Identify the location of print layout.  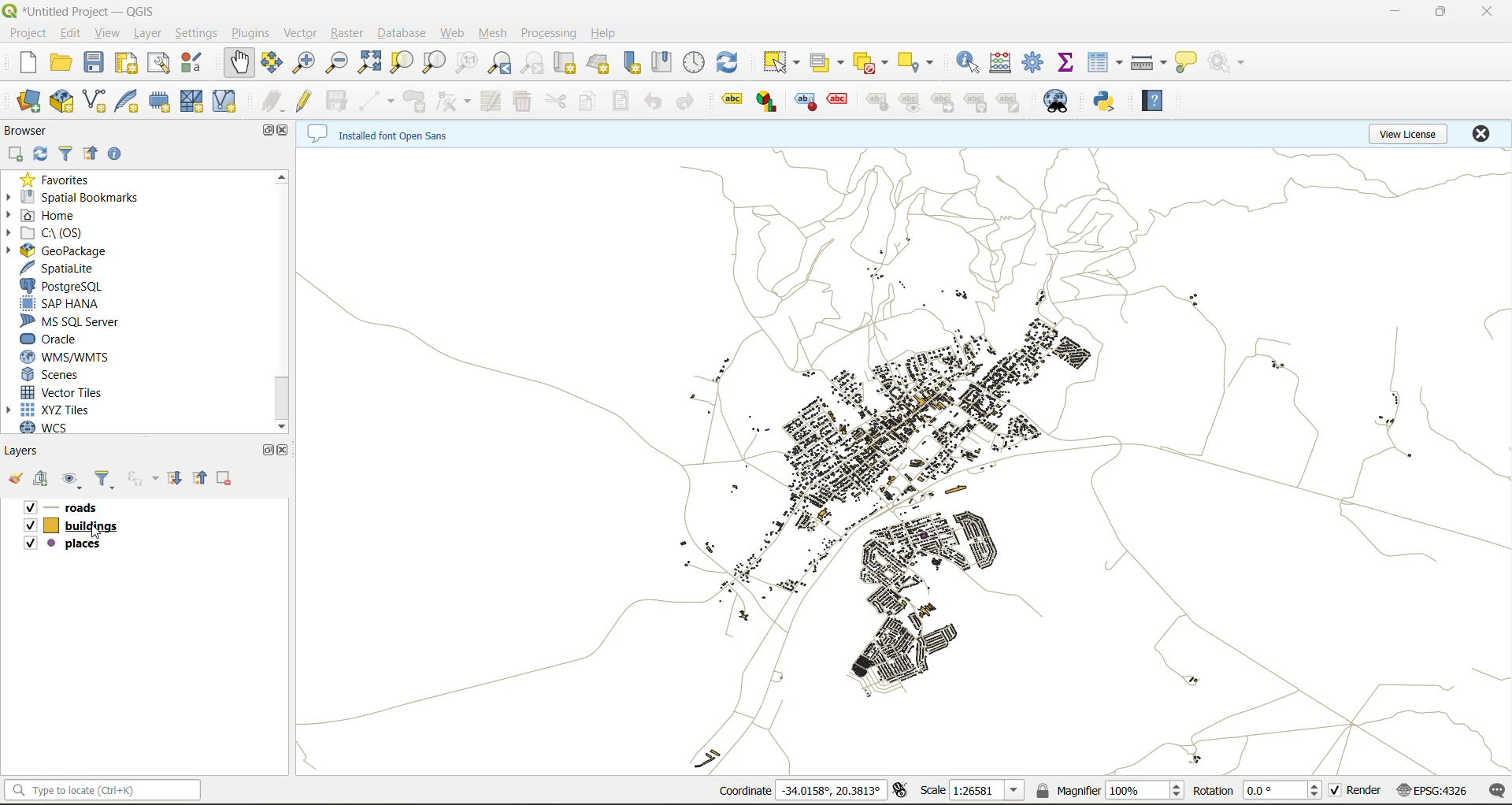
(128, 65).